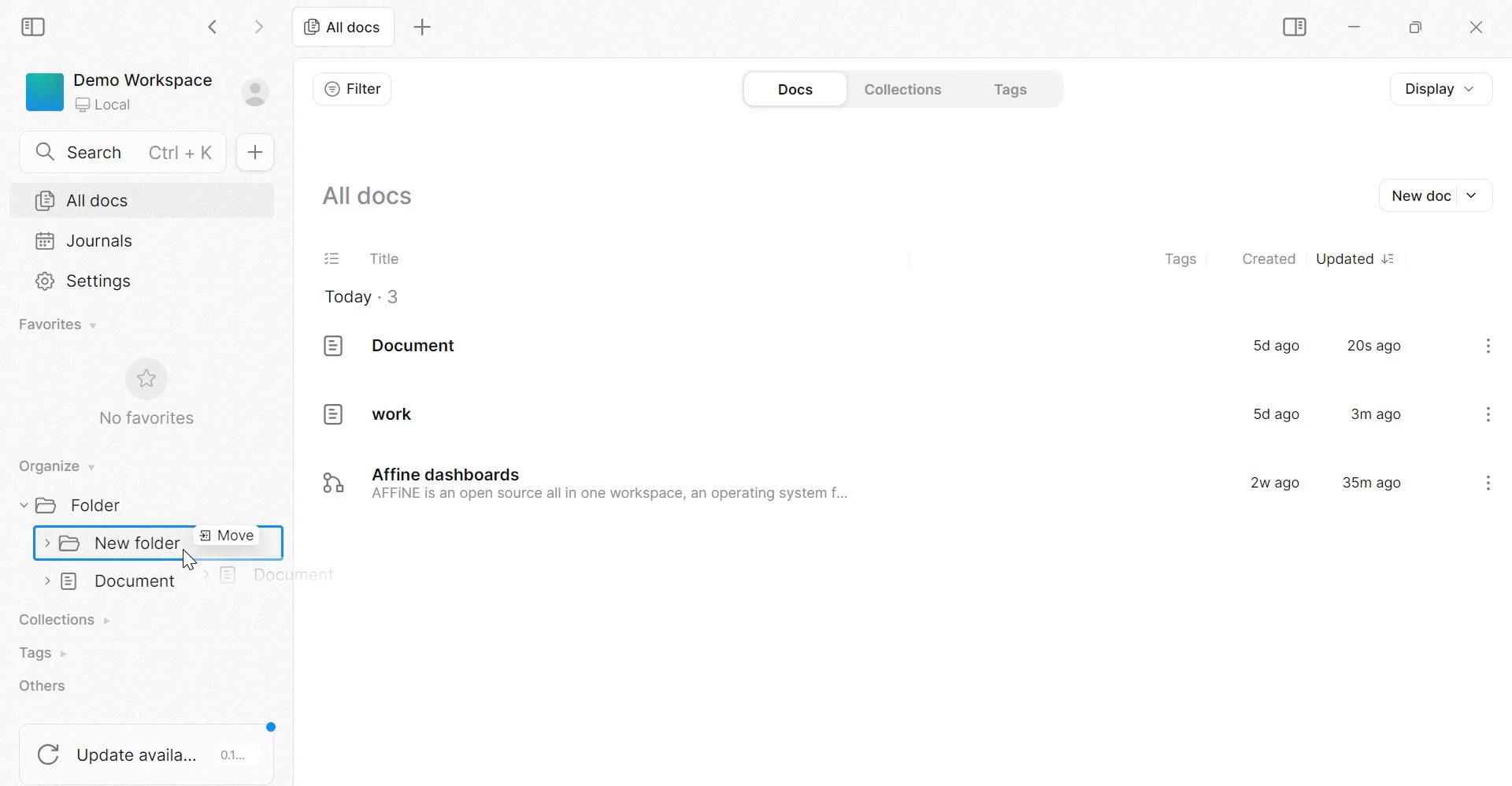  I want to click on Maximize, so click(1420, 27).